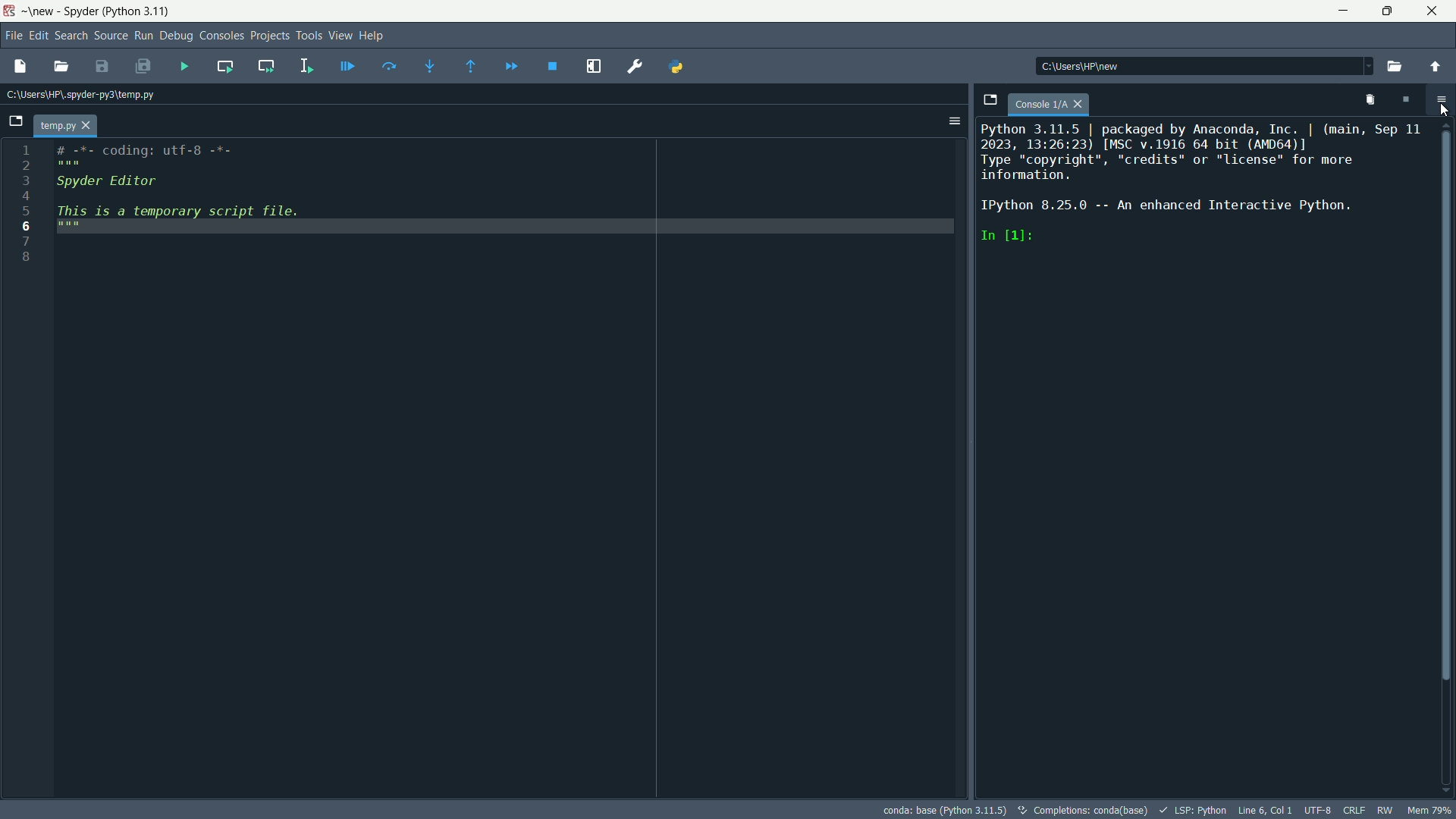 This screenshot has height=819, width=1456. I want to click on file menu, so click(14, 35).